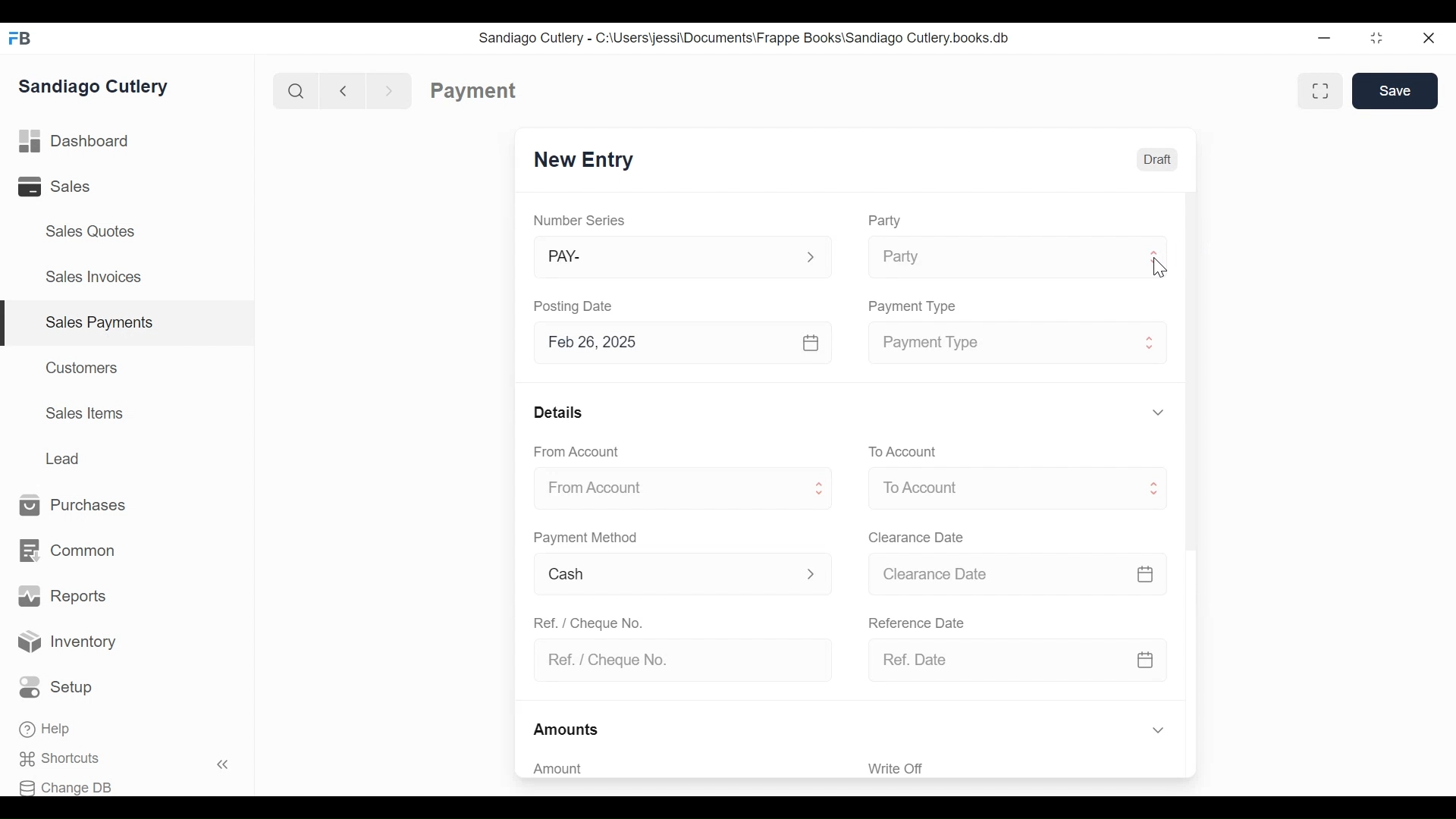  Describe the element at coordinates (74, 142) in the screenshot. I see `Dashboard` at that location.